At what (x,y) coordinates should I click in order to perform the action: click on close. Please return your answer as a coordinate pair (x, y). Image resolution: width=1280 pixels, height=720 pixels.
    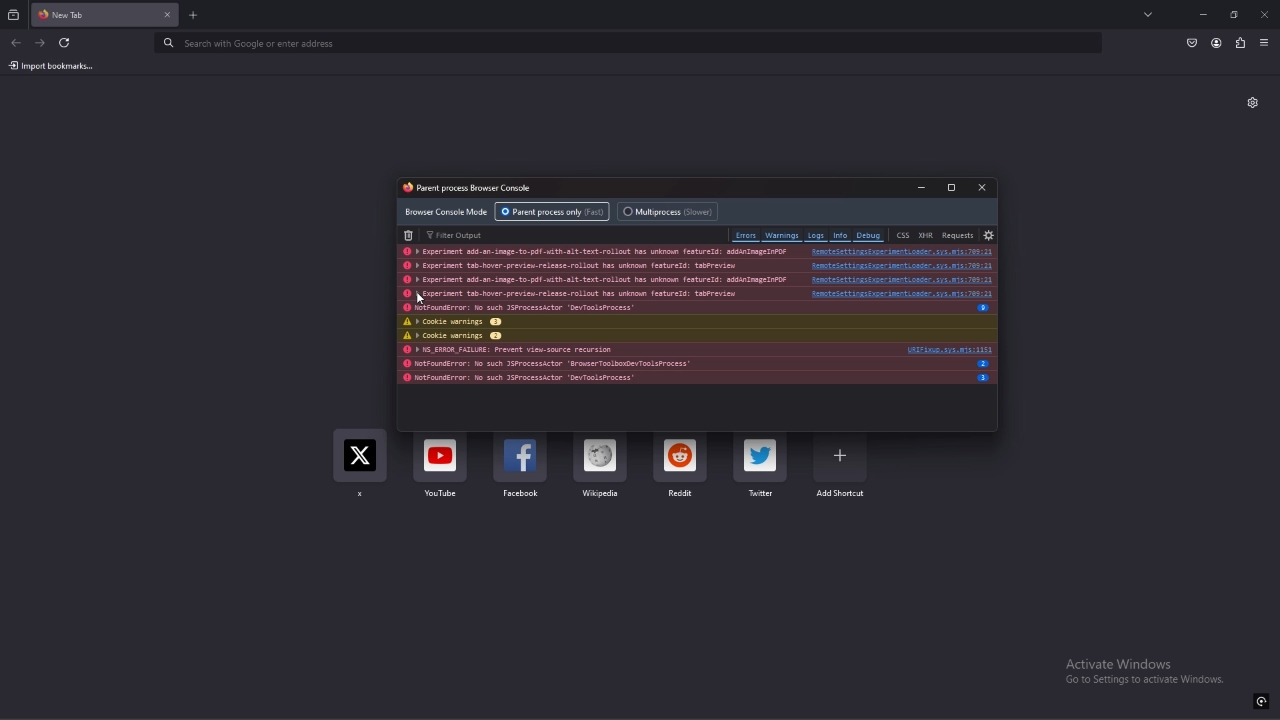
    Looking at the image, I should click on (1264, 14).